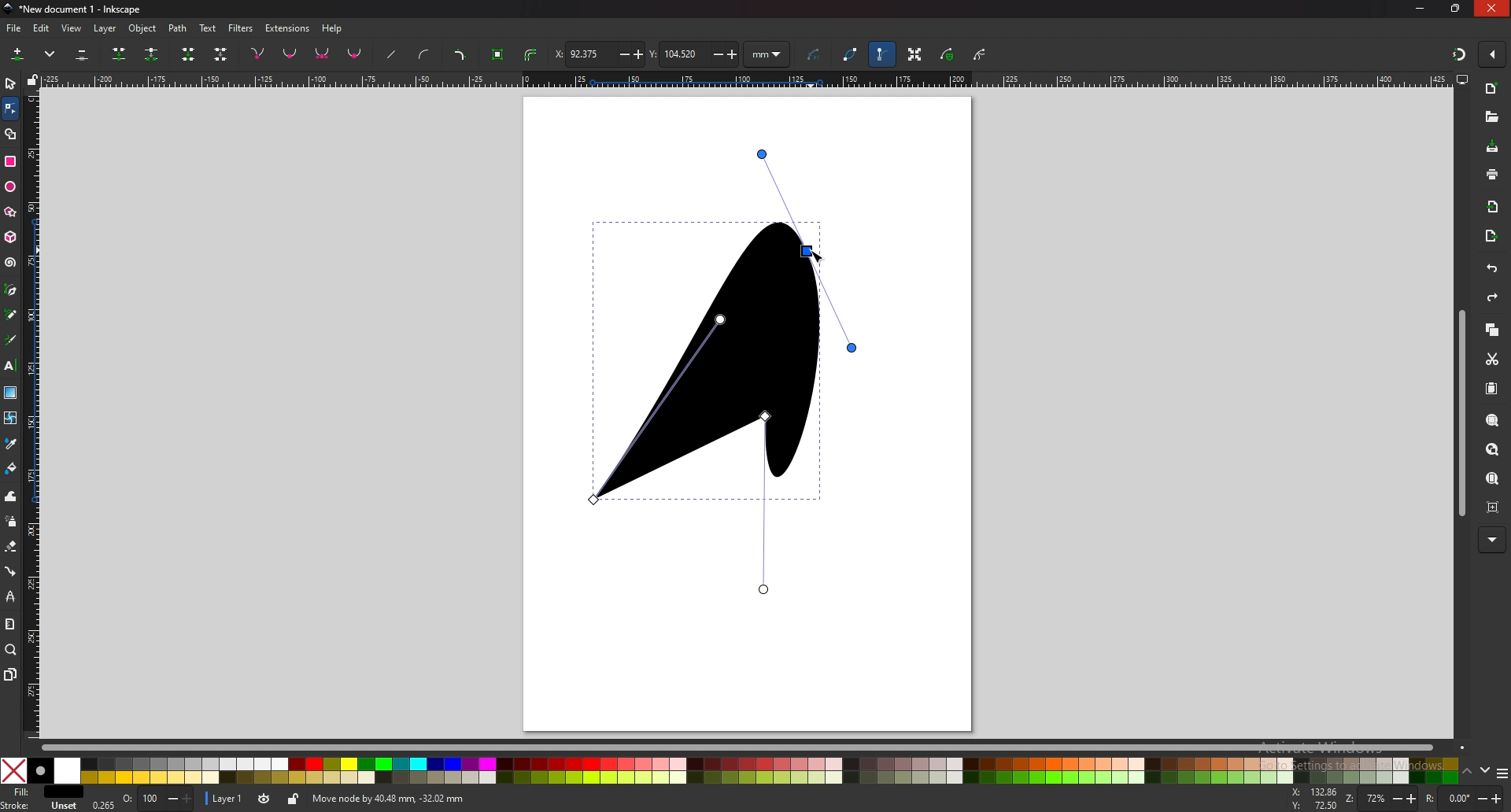  What do you see at coordinates (729, 371) in the screenshot?
I see `drawing` at bounding box center [729, 371].